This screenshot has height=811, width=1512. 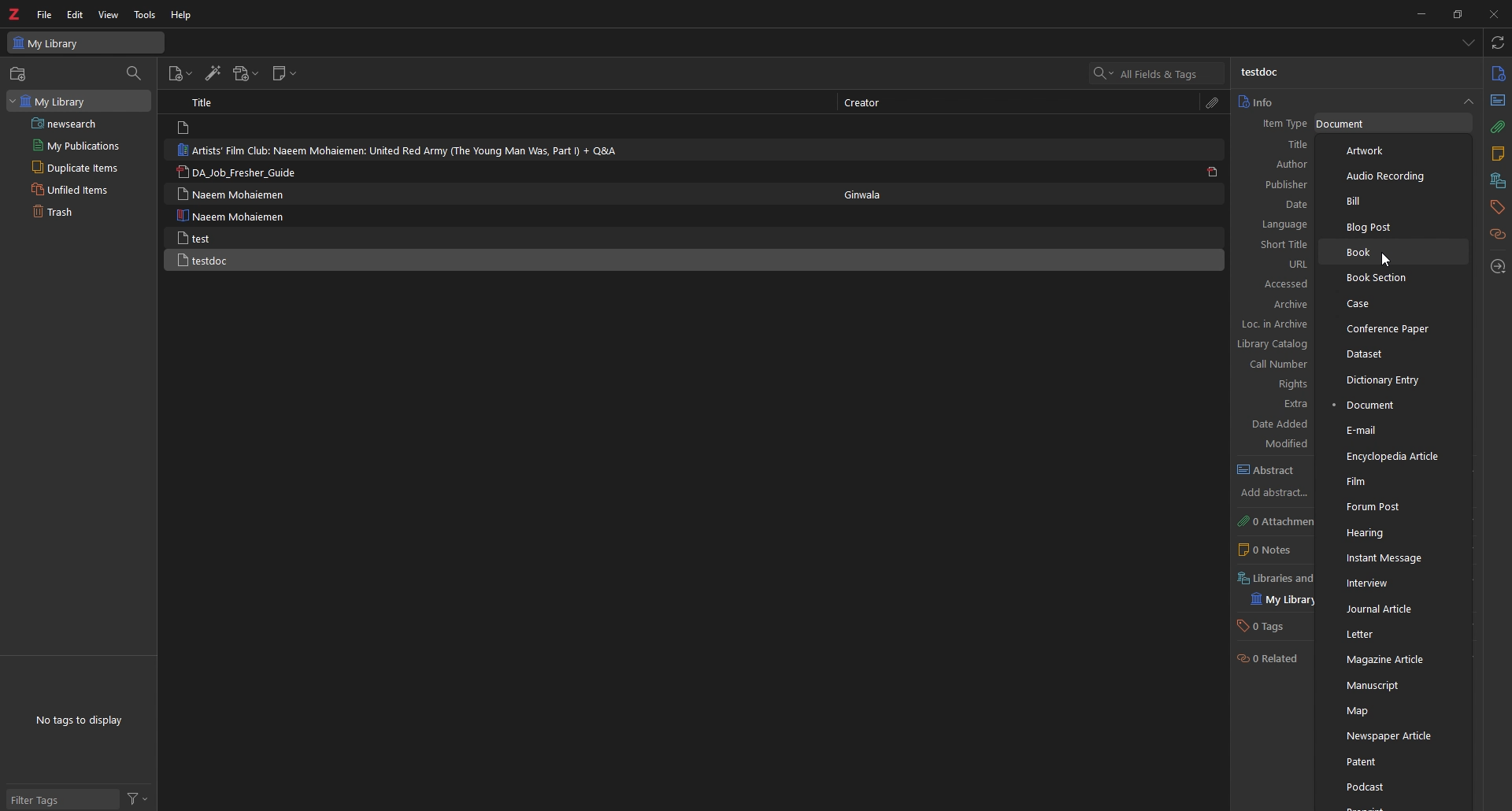 I want to click on info, so click(x=1354, y=102).